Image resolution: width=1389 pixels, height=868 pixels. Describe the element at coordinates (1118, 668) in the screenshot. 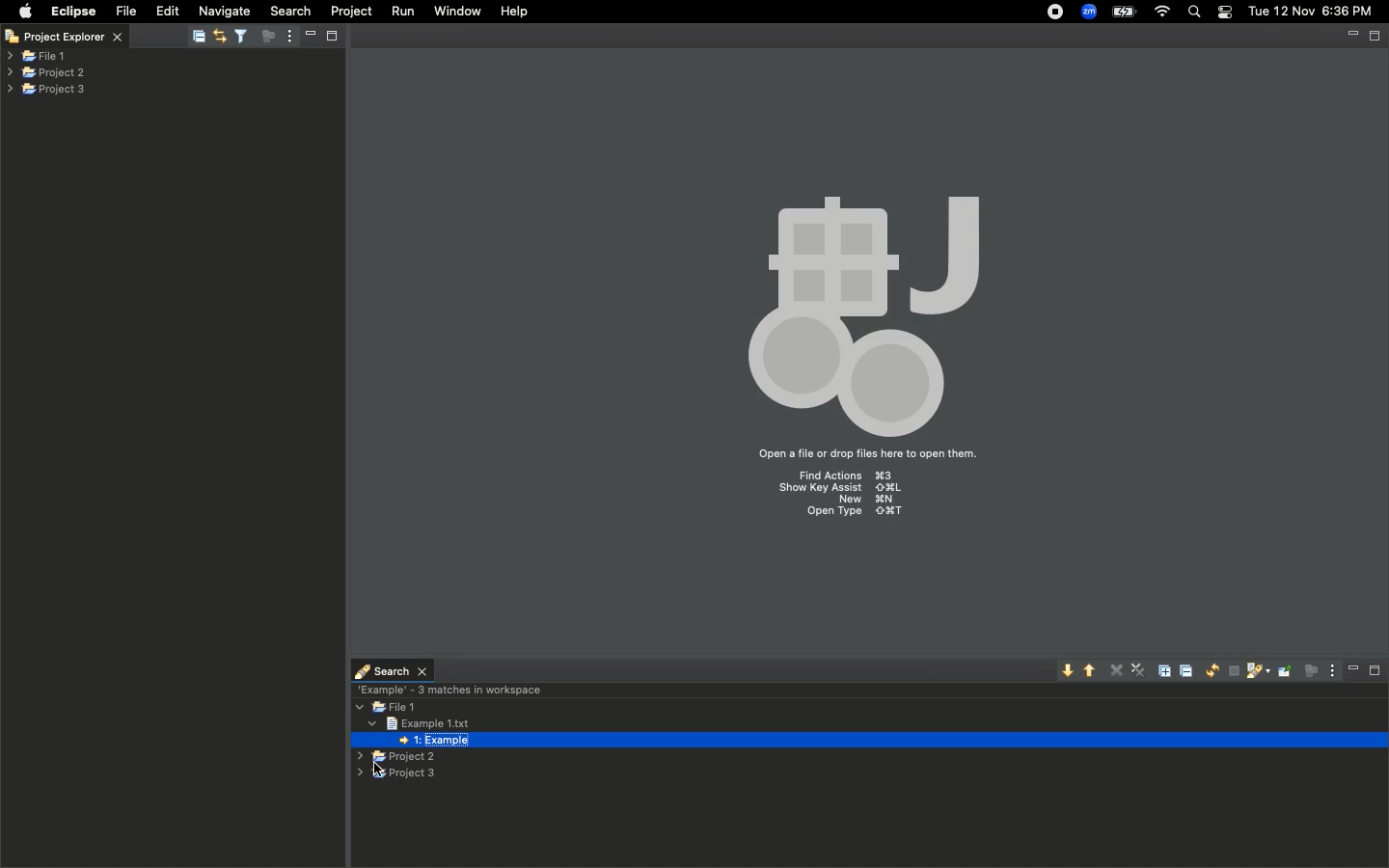

I see `Remove selected matches` at that location.